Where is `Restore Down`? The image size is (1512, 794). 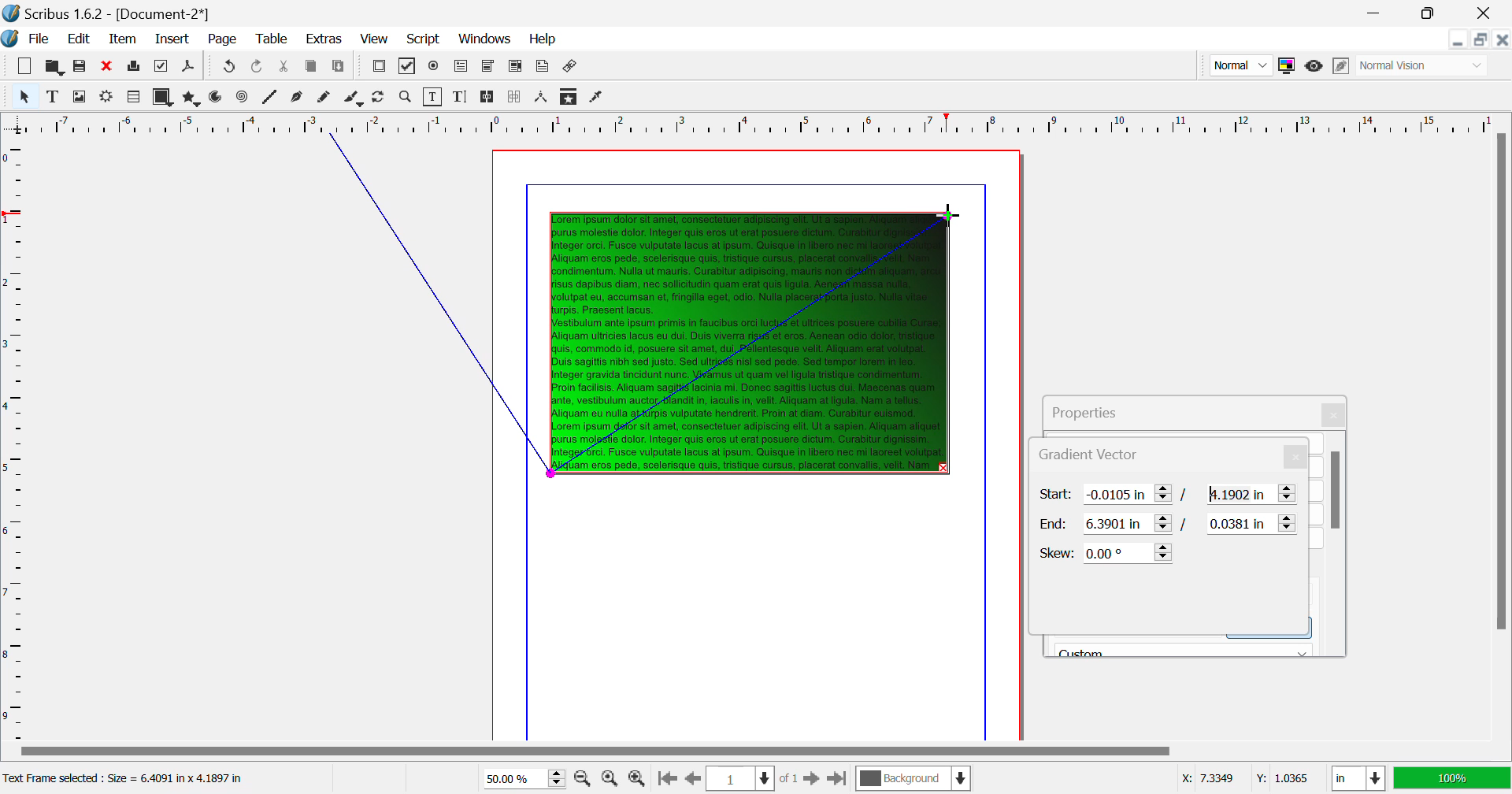 Restore Down is located at coordinates (1378, 13).